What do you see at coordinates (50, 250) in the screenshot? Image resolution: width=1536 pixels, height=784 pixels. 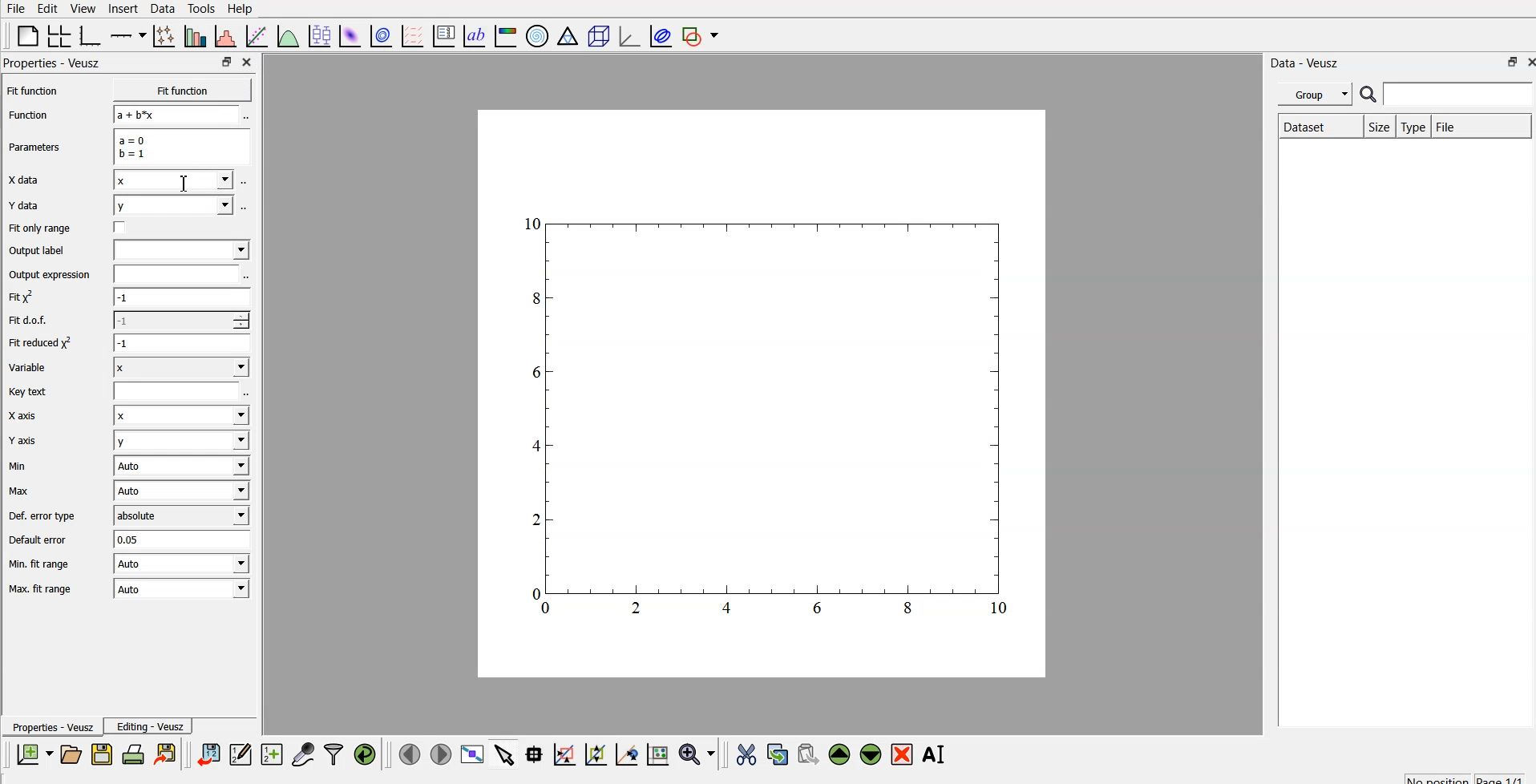 I see `Output label` at bounding box center [50, 250].